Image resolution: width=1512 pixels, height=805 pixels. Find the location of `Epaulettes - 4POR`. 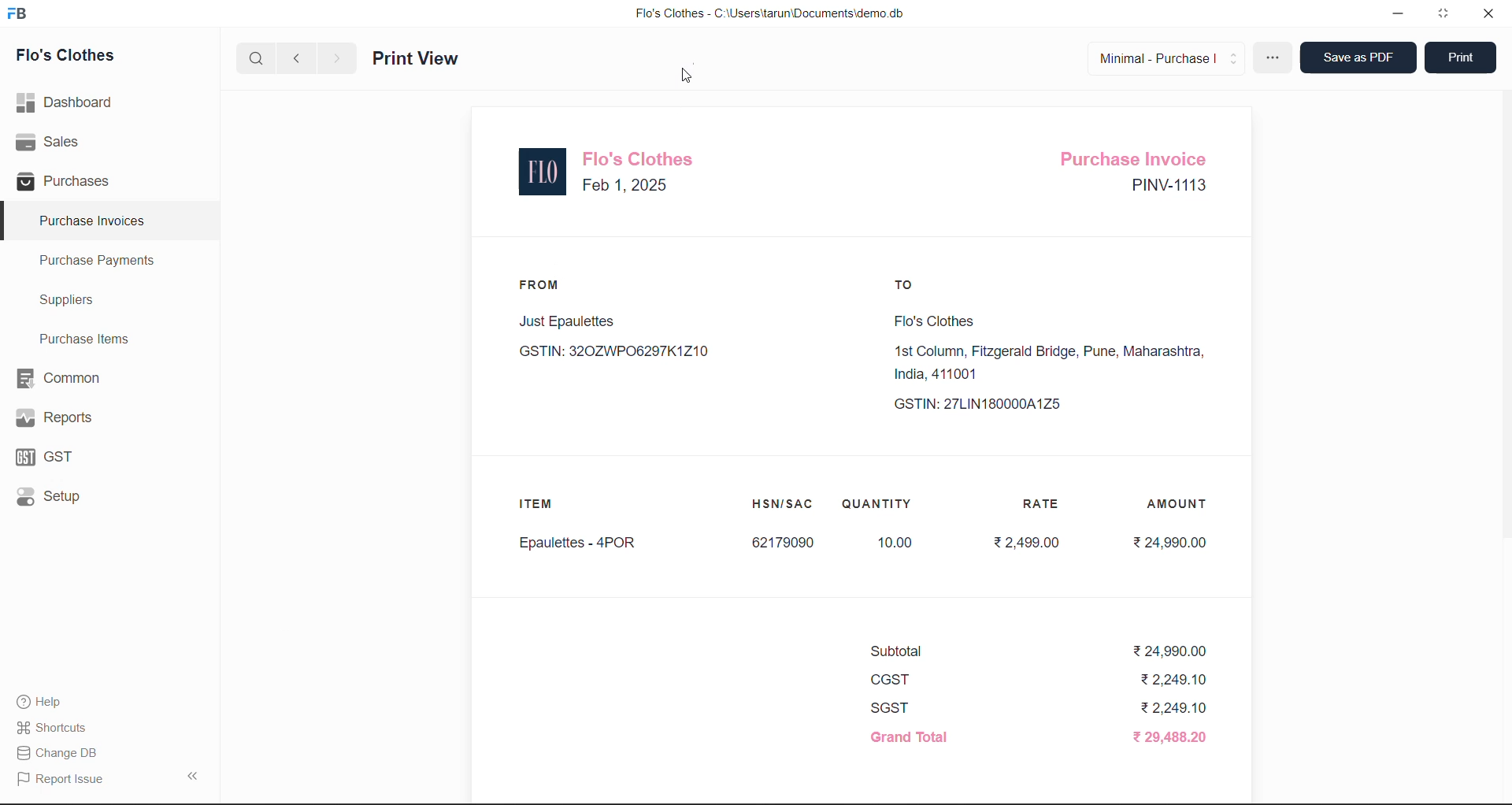

Epaulettes - 4POR is located at coordinates (577, 543).